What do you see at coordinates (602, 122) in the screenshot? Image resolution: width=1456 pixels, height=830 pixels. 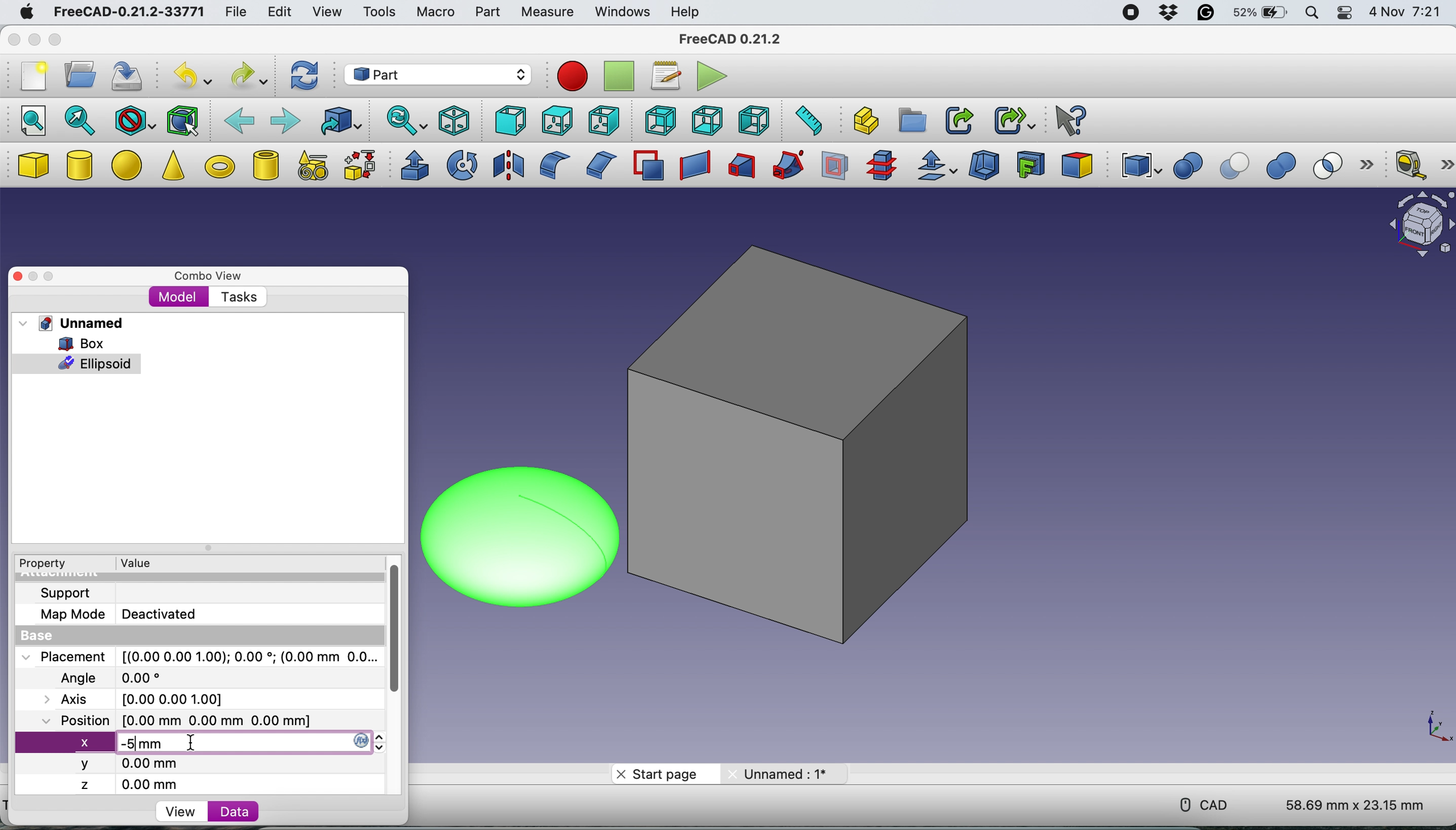 I see `right` at bounding box center [602, 122].